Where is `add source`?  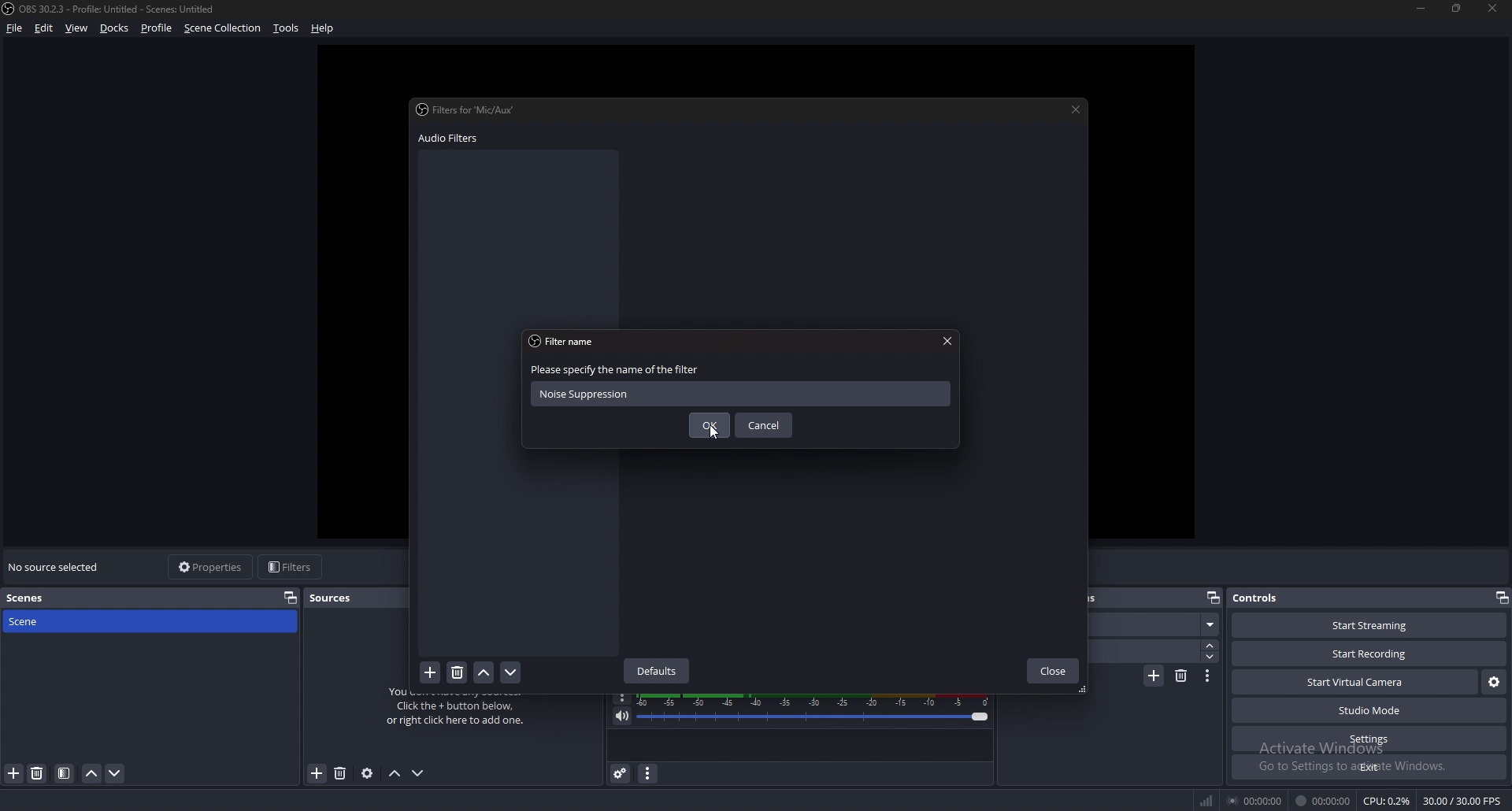 add source is located at coordinates (343, 774).